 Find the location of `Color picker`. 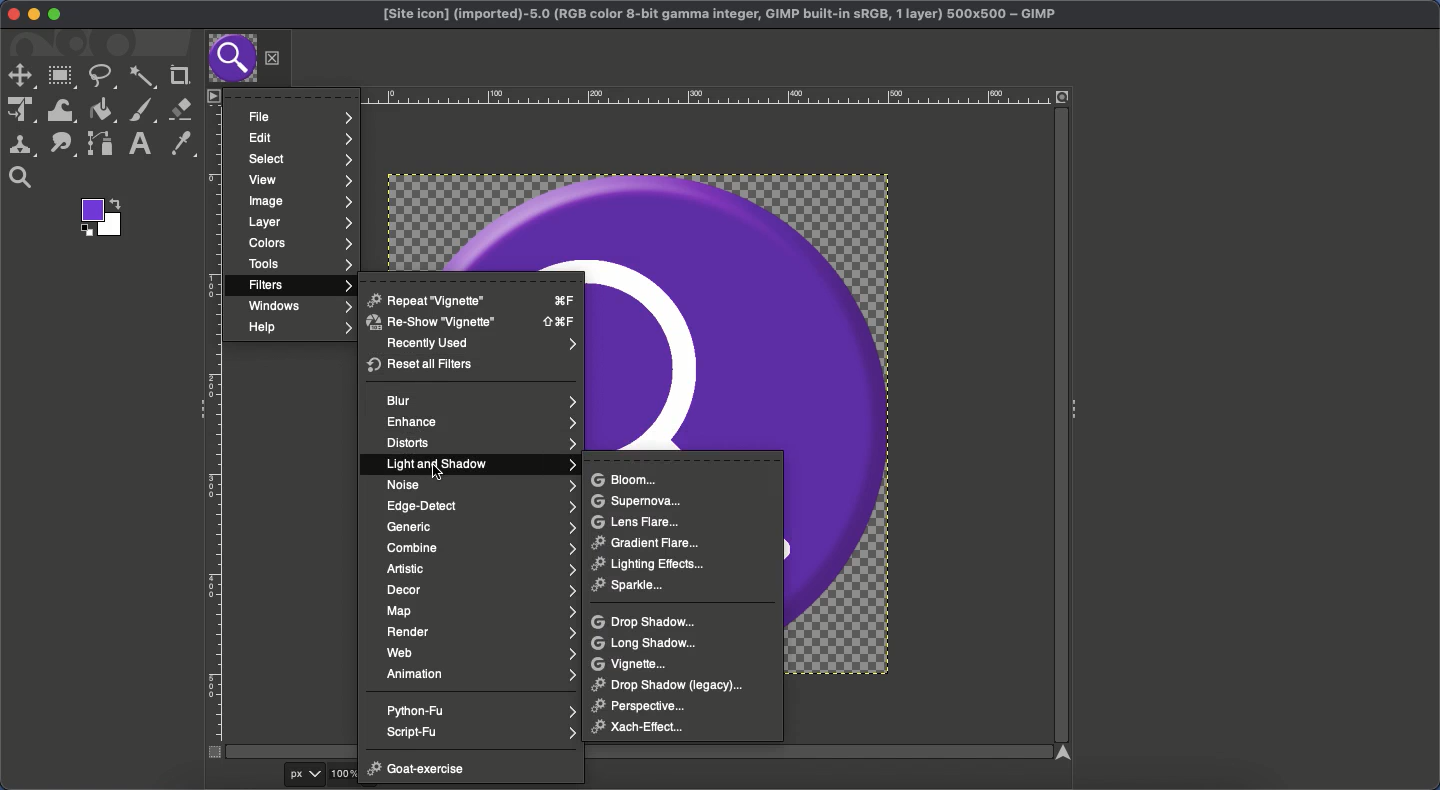

Color picker is located at coordinates (179, 144).